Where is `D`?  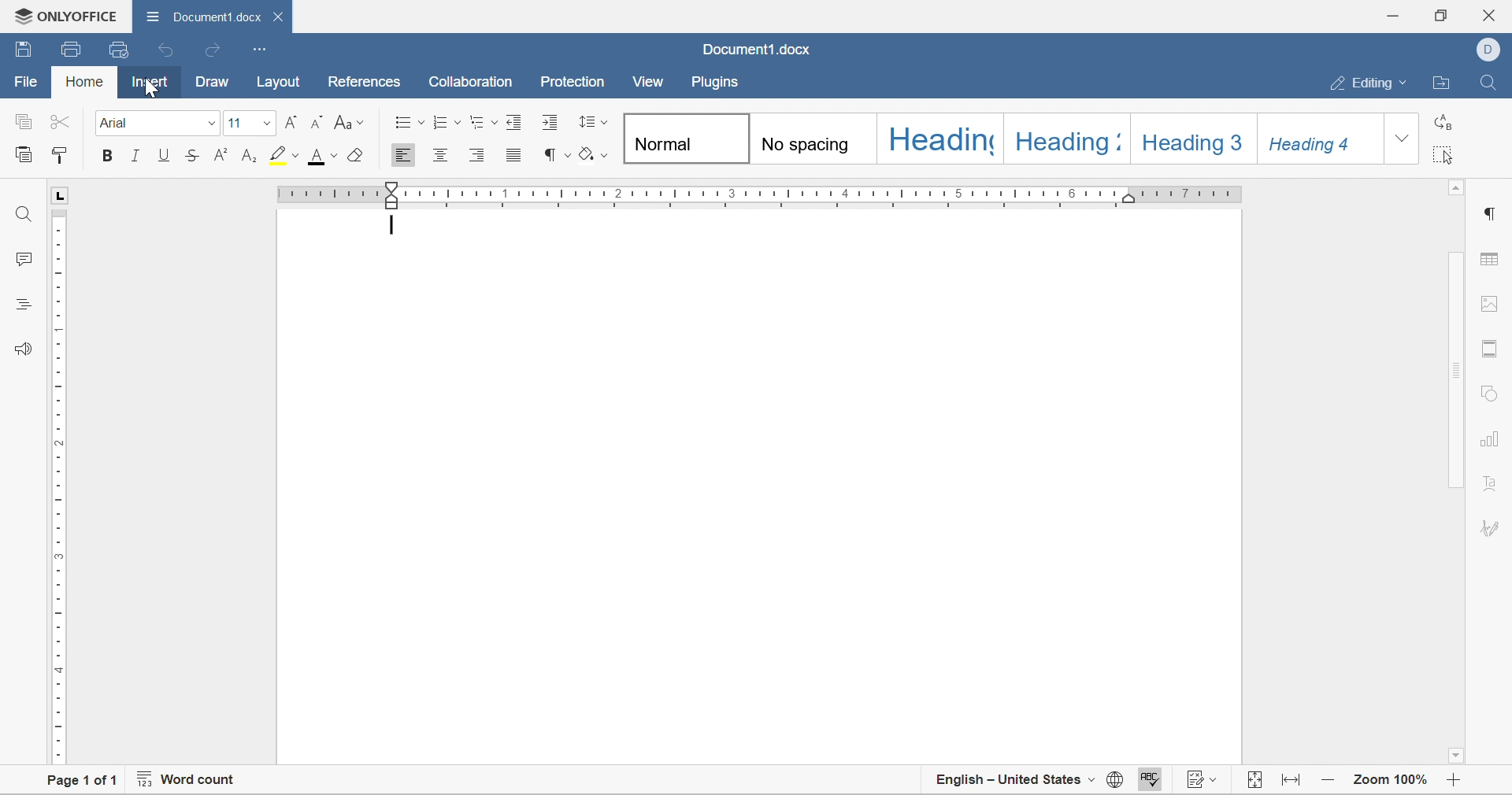 D is located at coordinates (1488, 50).